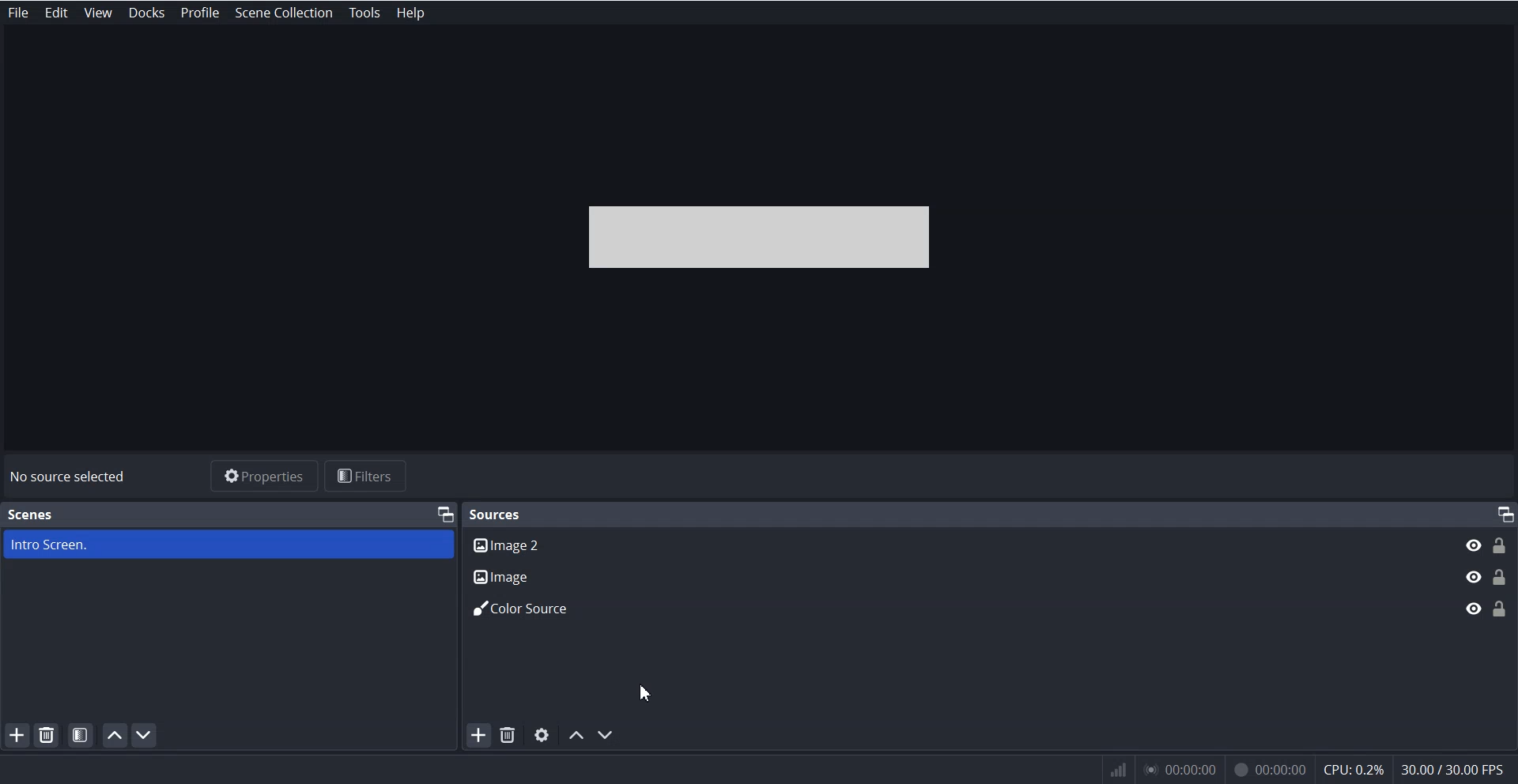 This screenshot has width=1518, height=784. What do you see at coordinates (81, 734) in the screenshot?
I see `Open scene Filters` at bounding box center [81, 734].